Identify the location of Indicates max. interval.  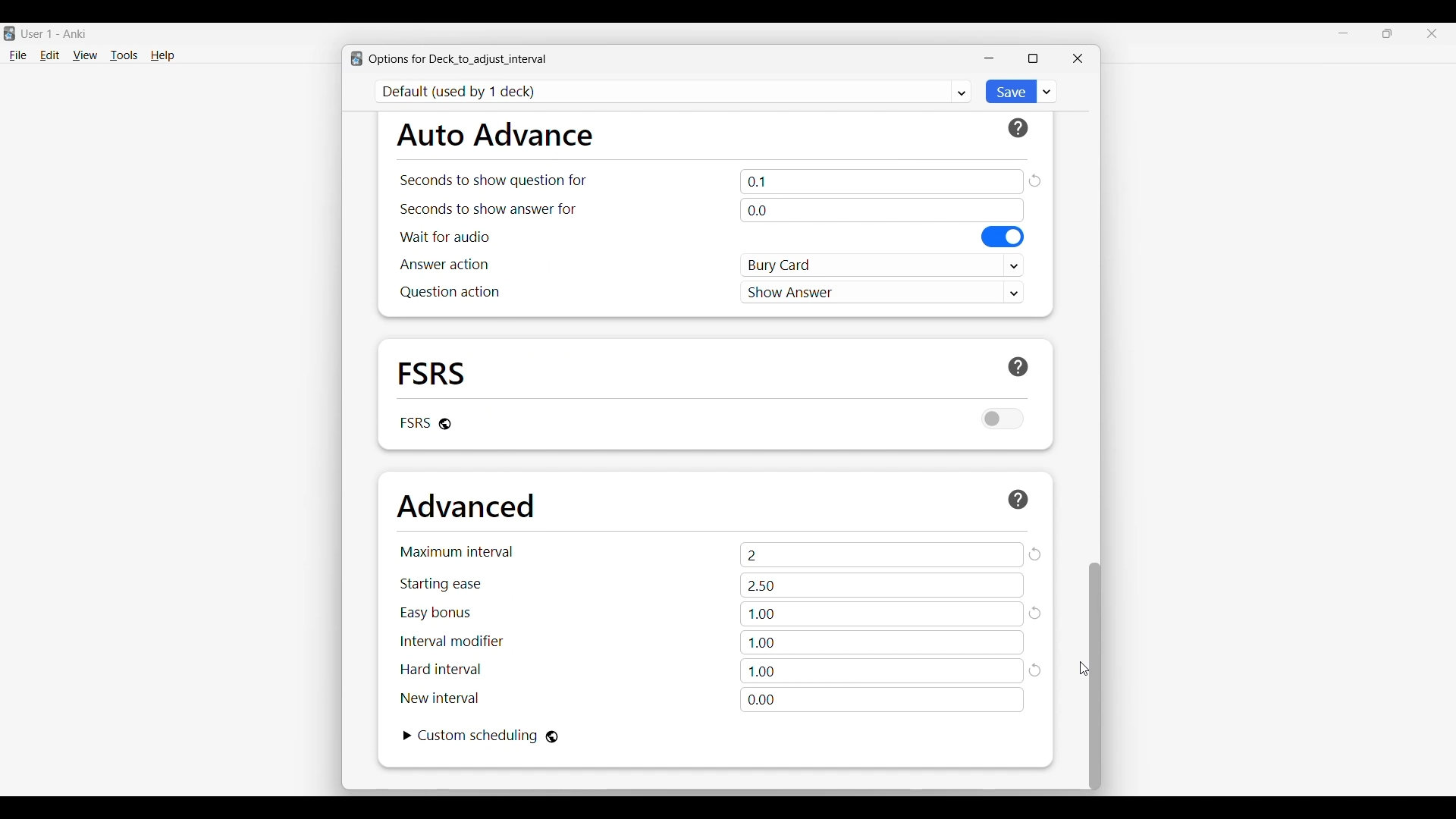
(457, 551).